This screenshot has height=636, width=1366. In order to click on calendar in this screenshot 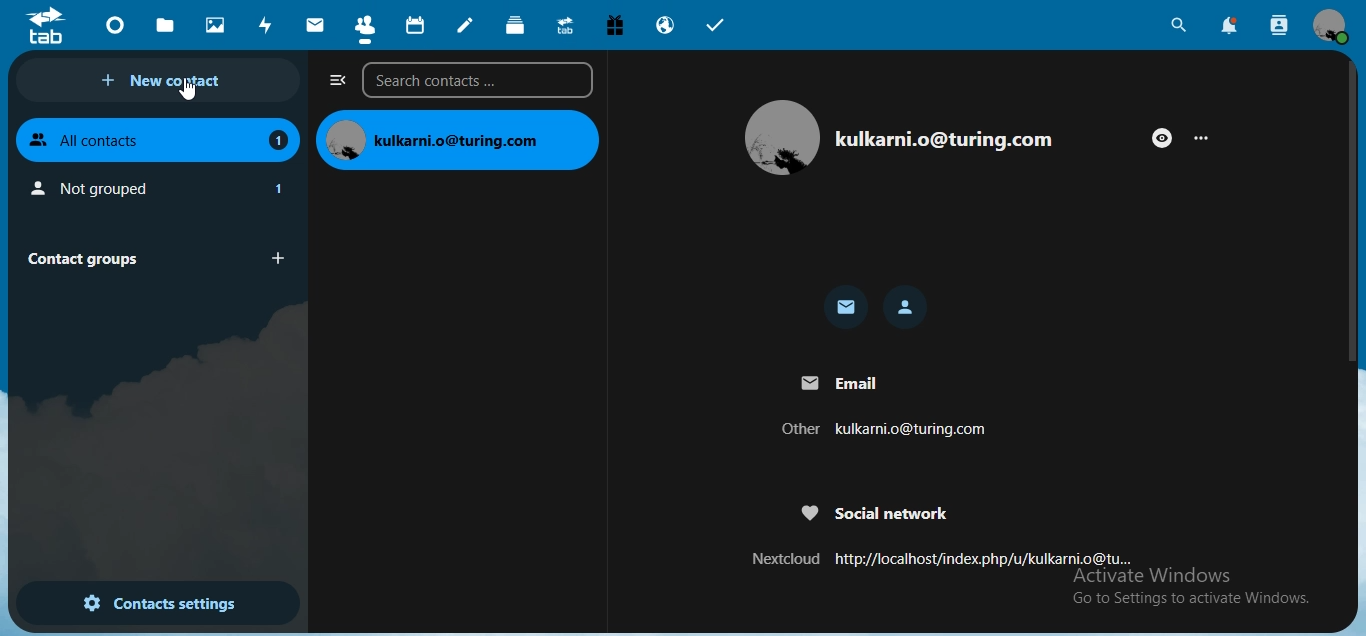, I will do `click(413, 23)`.